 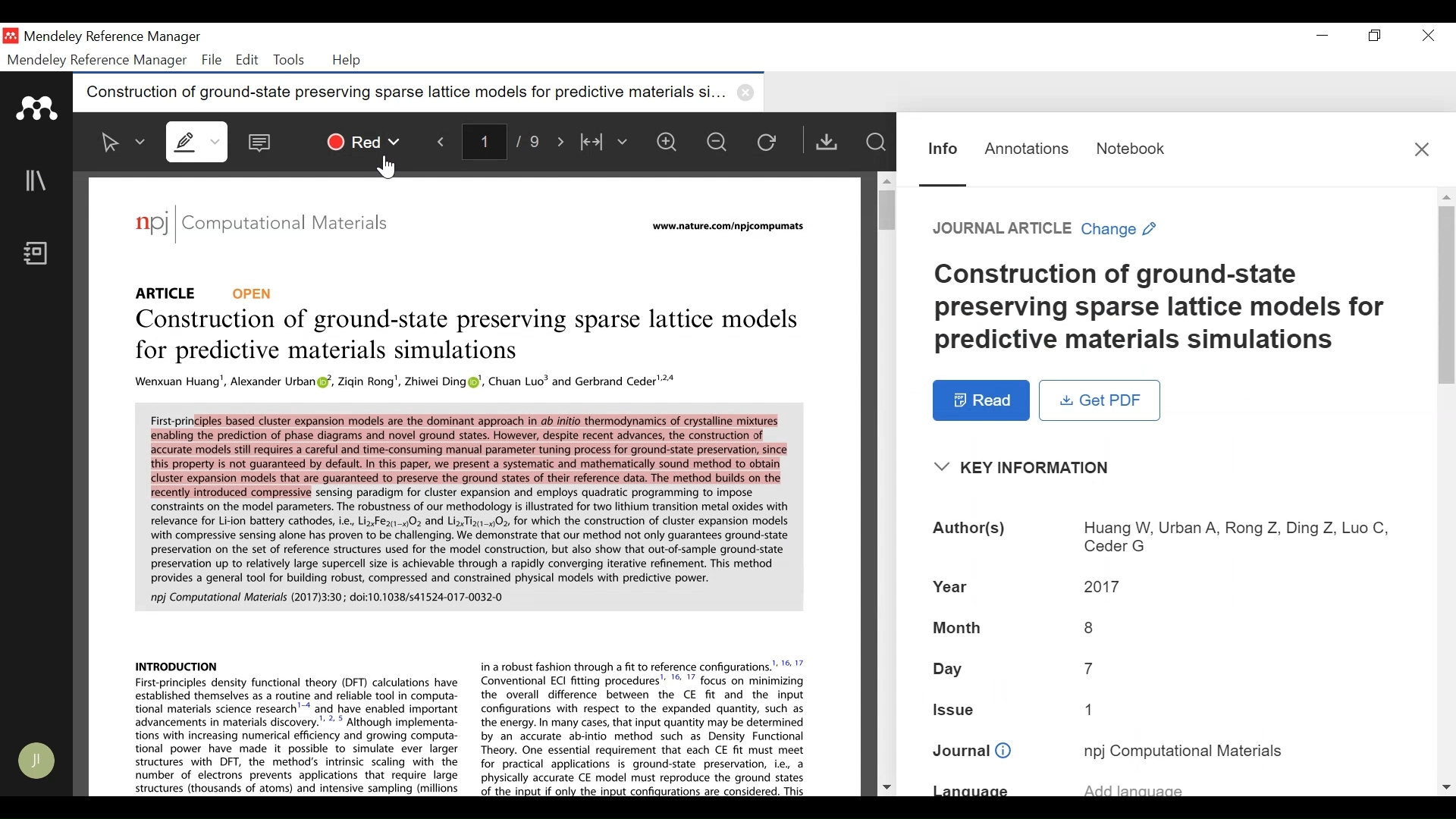 What do you see at coordinates (955, 628) in the screenshot?
I see `Month` at bounding box center [955, 628].